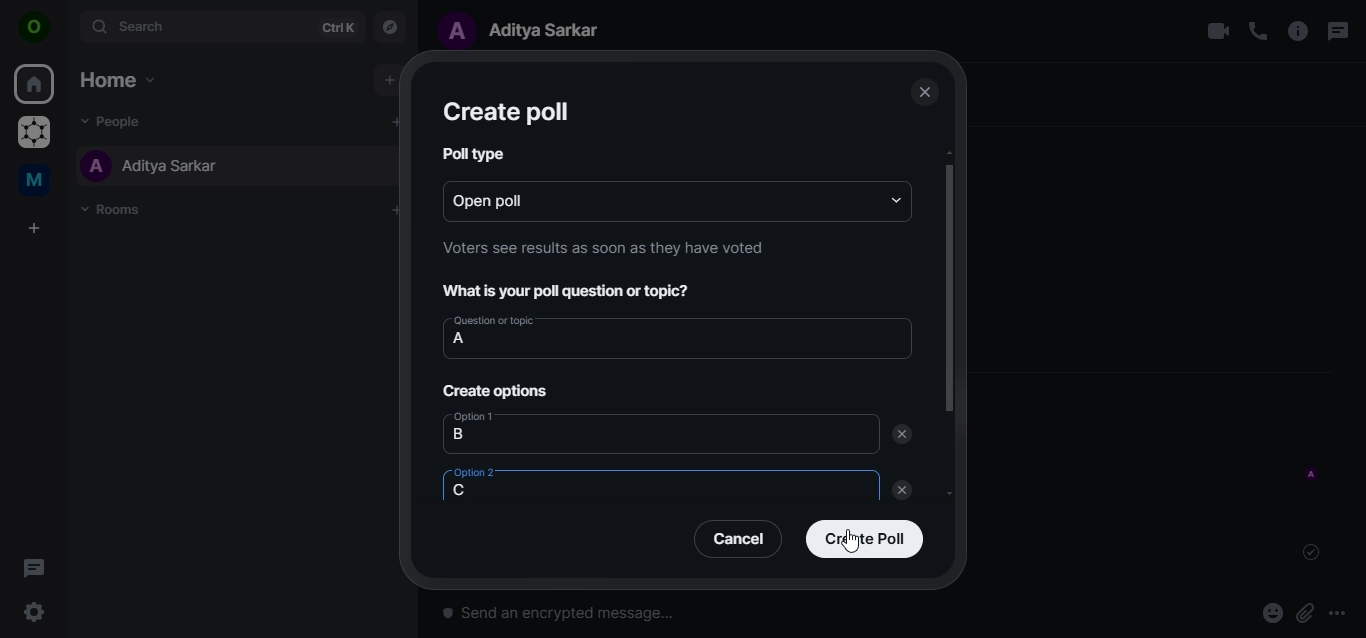 Image resolution: width=1366 pixels, height=638 pixels. Describe the element at coordinates (1273, 615) in the screenshot. I see `react` at that location.